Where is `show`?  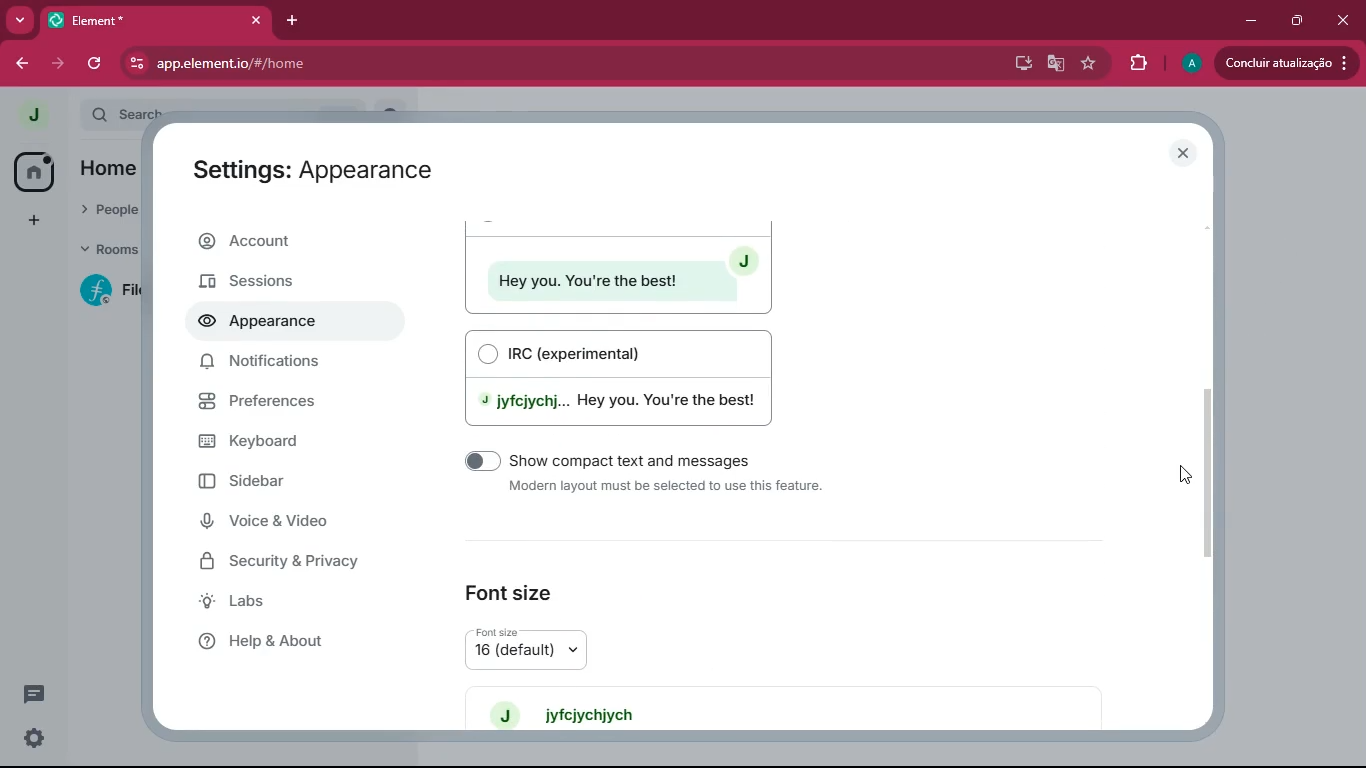 show is located at coordinates (656, 459).